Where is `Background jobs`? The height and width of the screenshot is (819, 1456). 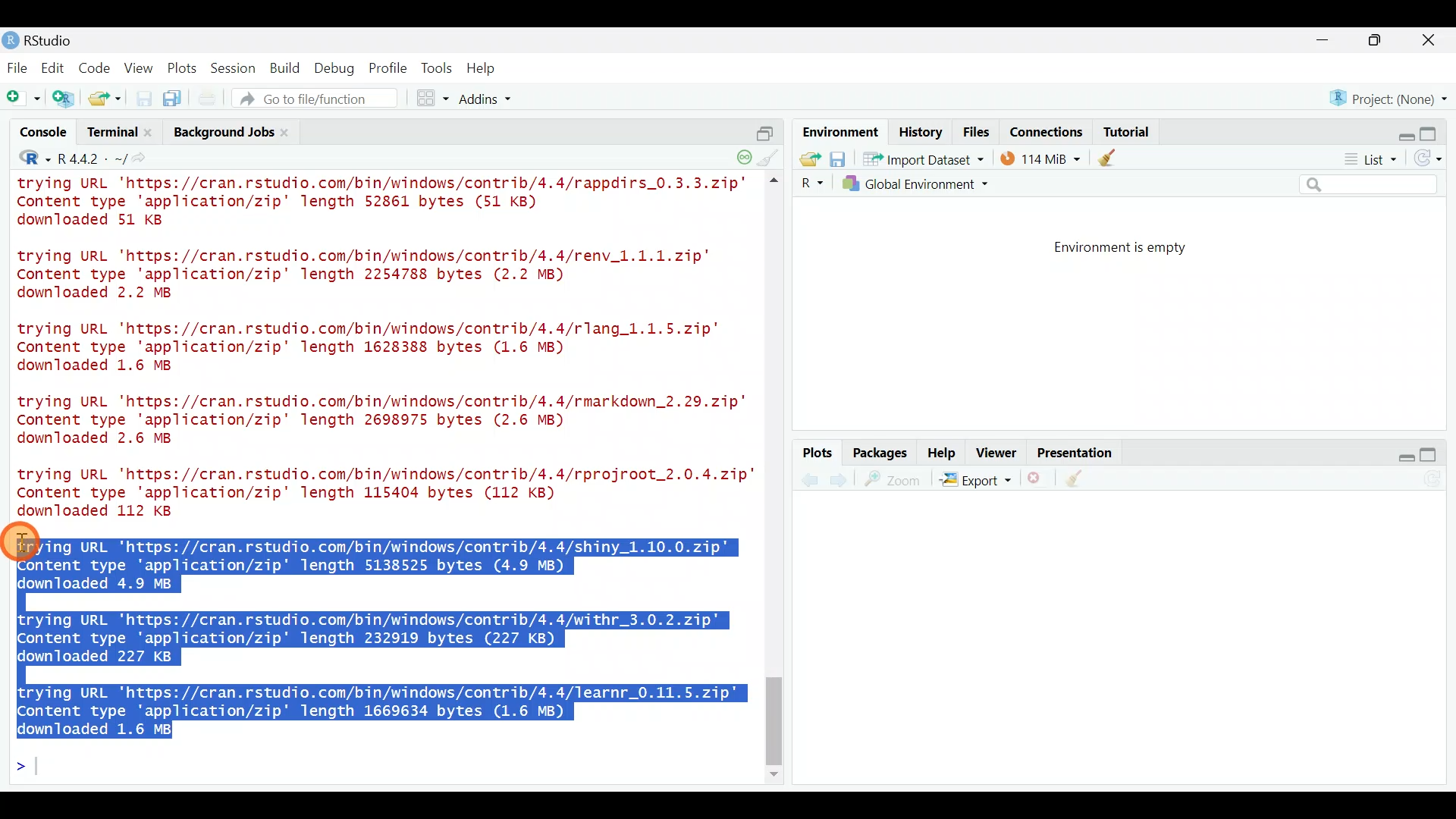 Background jobs is located at coordinates (221, 132).